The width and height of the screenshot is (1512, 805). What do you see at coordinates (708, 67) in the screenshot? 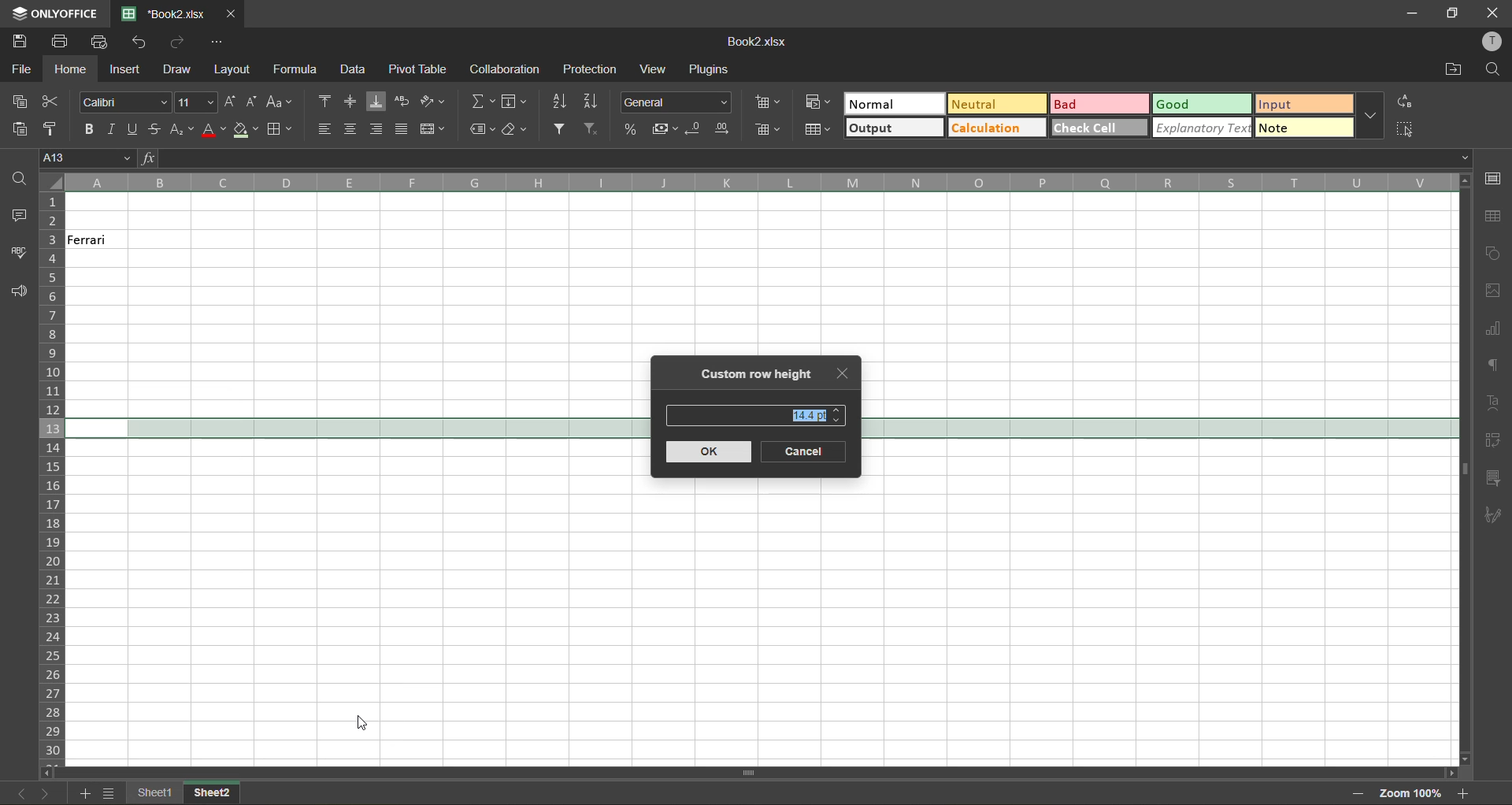
I see `plugins` at bounding box center [708, 67].